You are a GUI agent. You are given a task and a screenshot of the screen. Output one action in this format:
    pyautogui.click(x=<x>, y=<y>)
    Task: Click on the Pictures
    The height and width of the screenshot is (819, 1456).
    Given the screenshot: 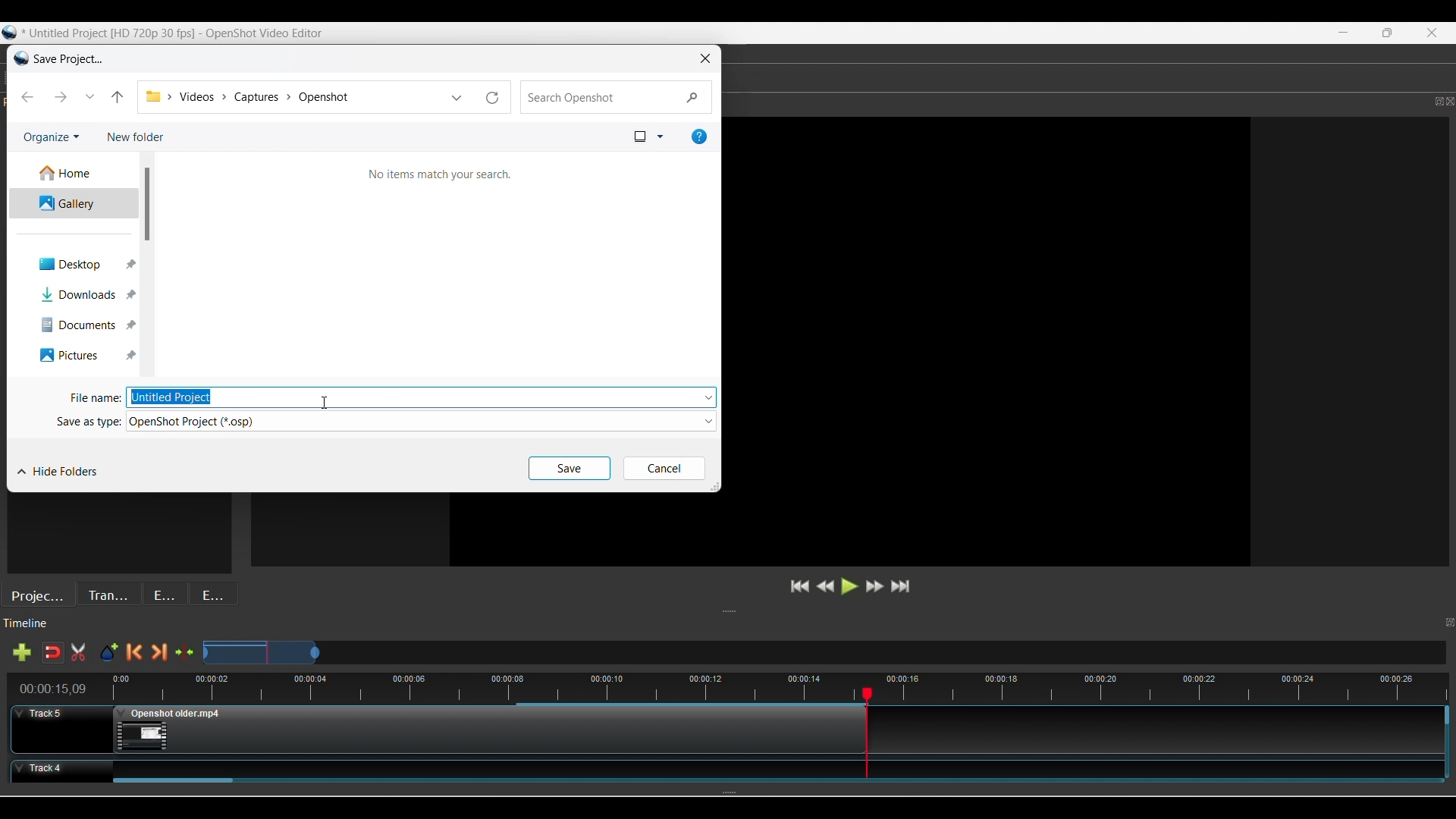 What is the action you would take?
    pyautogui.click(x=80, y=354)
    